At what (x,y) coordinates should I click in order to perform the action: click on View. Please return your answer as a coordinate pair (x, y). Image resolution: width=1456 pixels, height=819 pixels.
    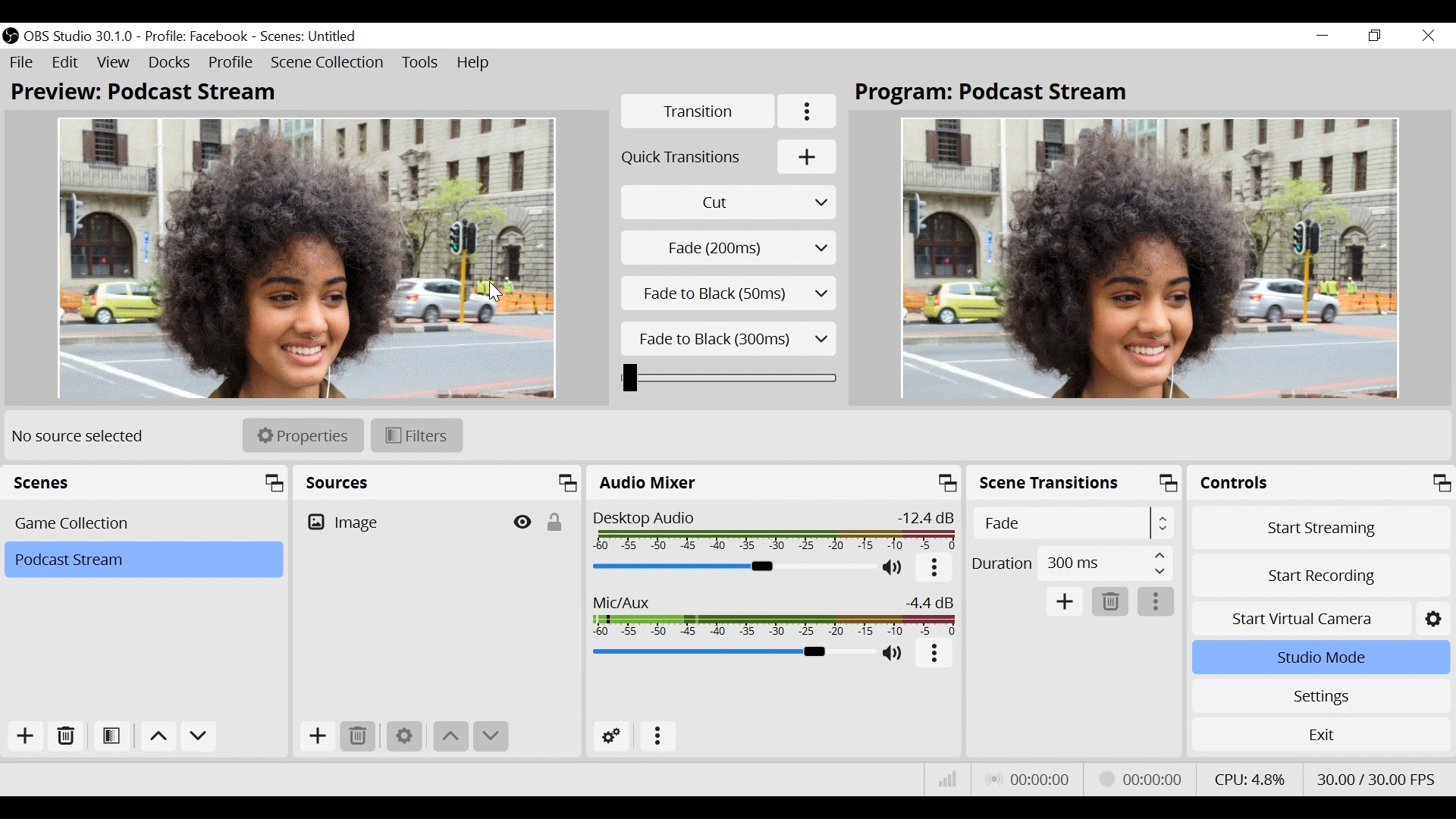
    Looking at the image, I should click on (113, 63).